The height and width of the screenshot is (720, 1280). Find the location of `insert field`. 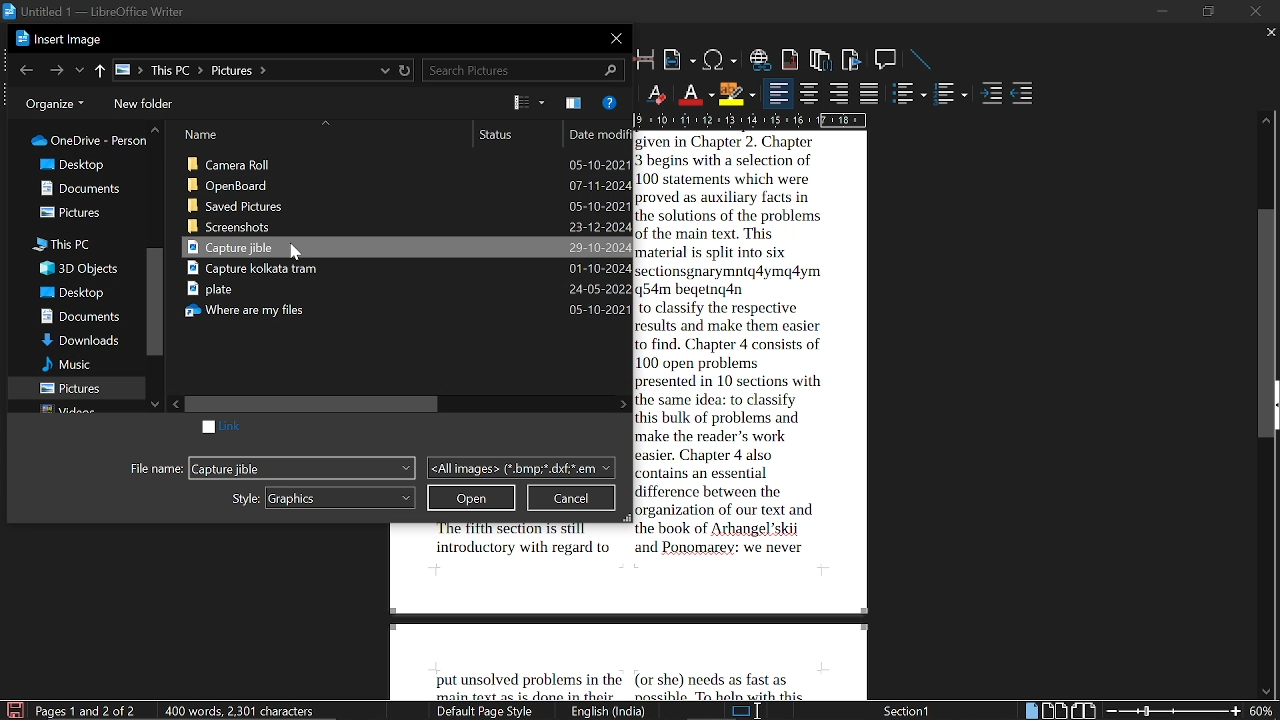

insert field is located at coordinates (680, 59).